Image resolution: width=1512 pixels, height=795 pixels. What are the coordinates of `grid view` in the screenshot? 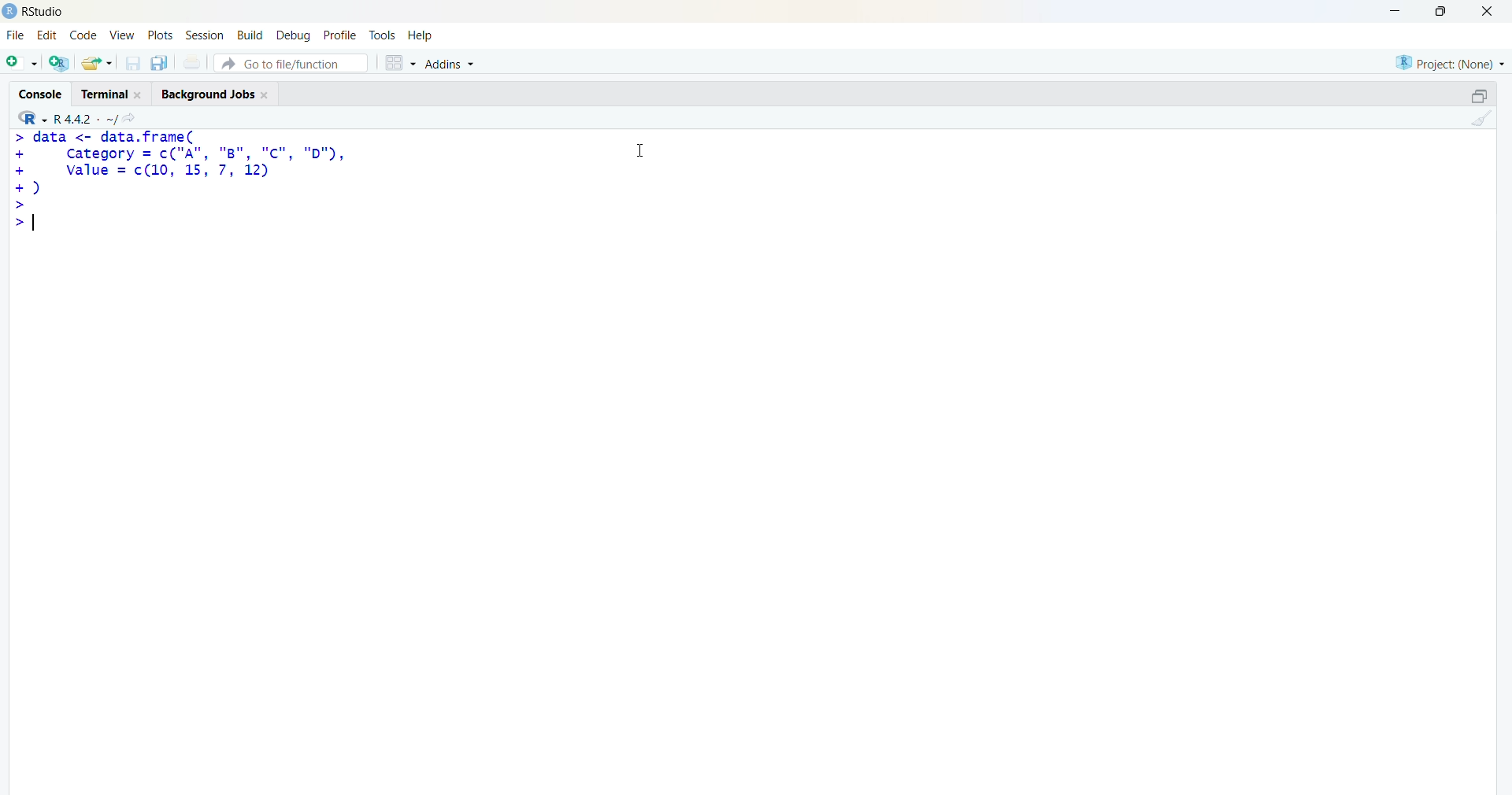 It's located at (399, 62).